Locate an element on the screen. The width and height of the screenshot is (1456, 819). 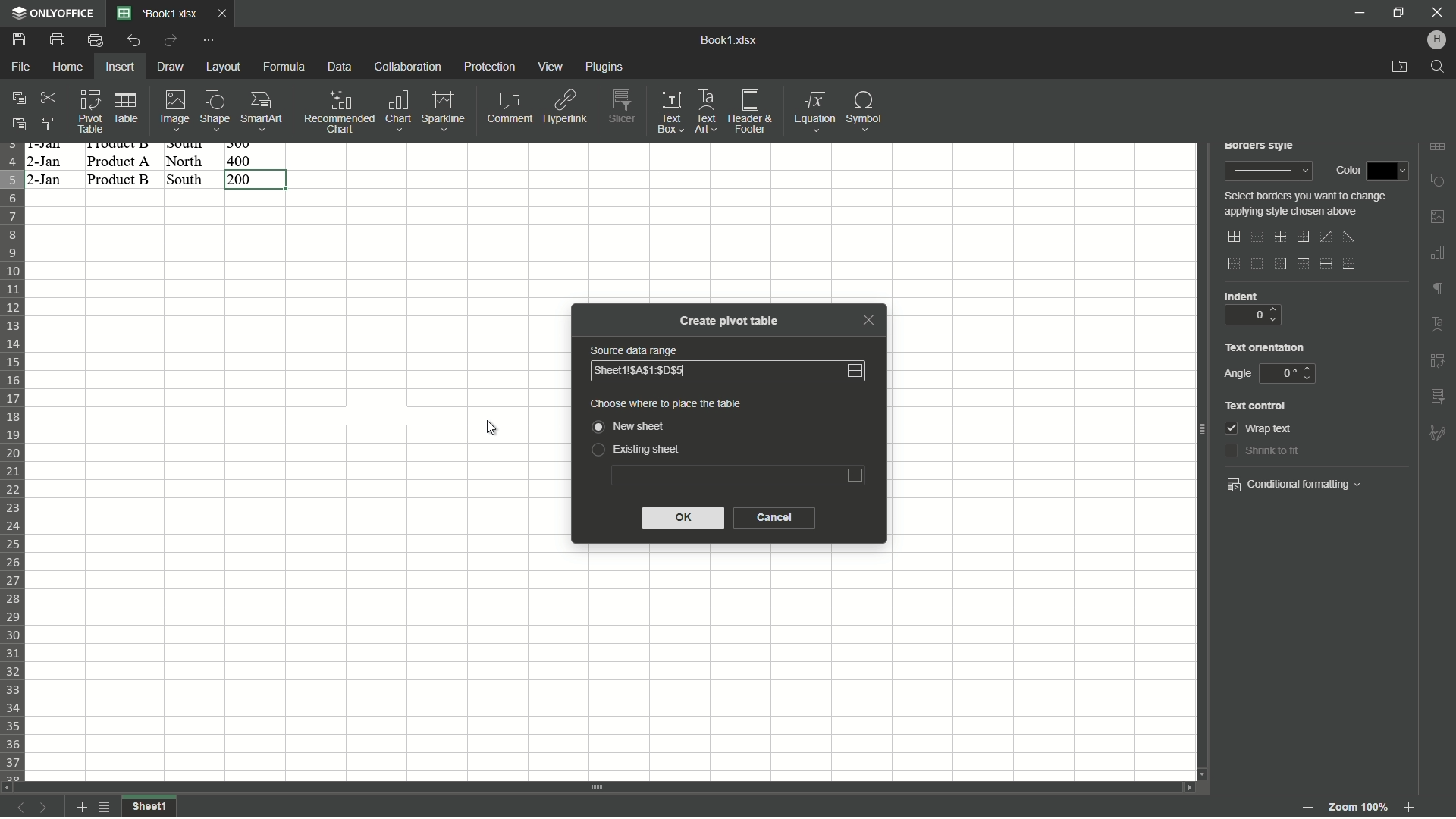
Formula is located at coordinates (283, 67).